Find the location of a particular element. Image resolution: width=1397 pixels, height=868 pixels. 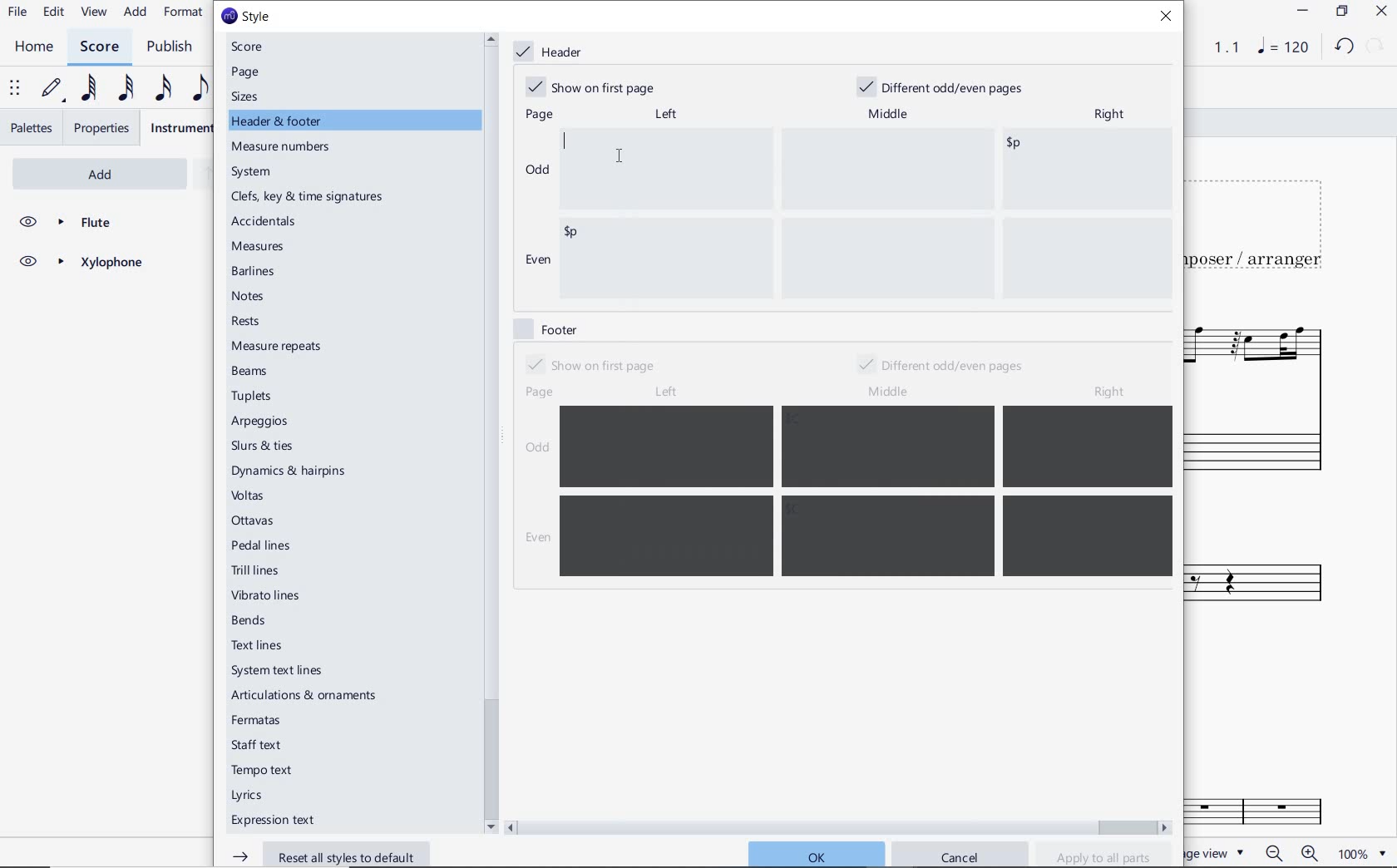

articulations & ornaments is located at coordinates (309, 697).